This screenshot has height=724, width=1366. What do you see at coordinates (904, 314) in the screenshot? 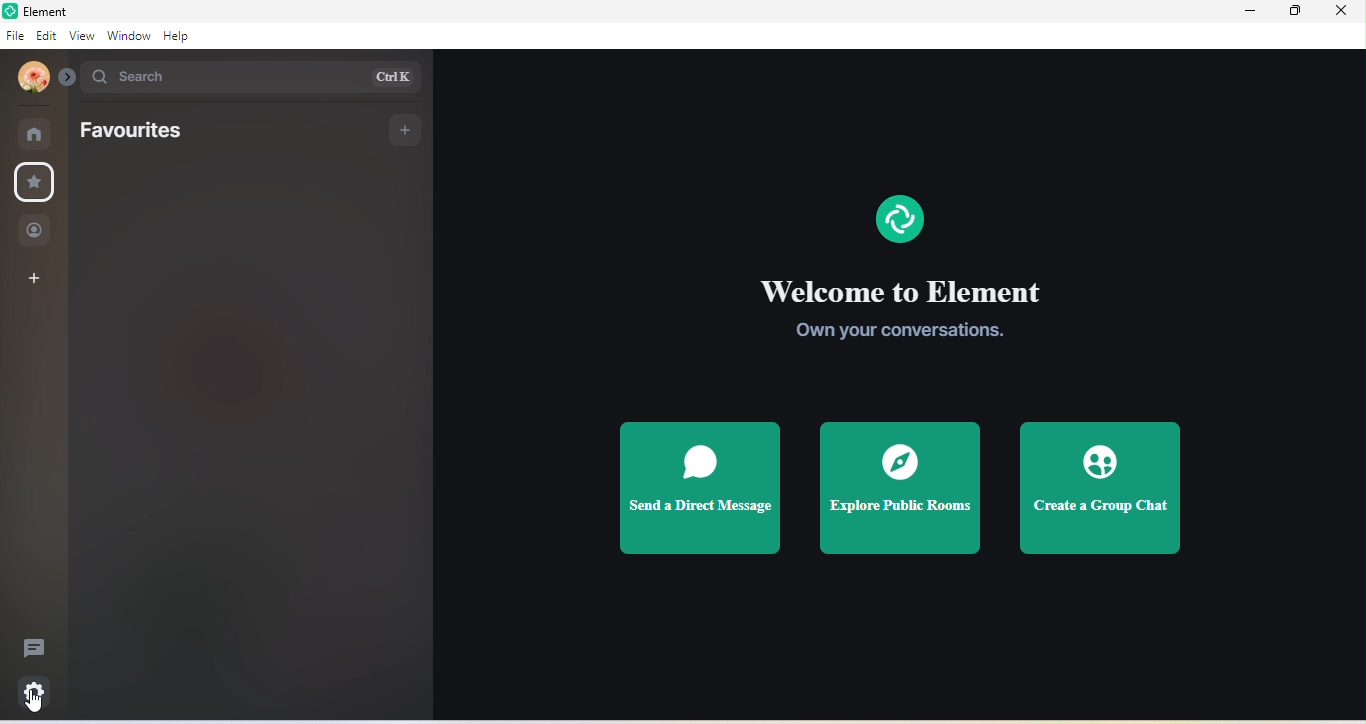
I see `welcome to element own your conversation` at bounding box center [904, 314].